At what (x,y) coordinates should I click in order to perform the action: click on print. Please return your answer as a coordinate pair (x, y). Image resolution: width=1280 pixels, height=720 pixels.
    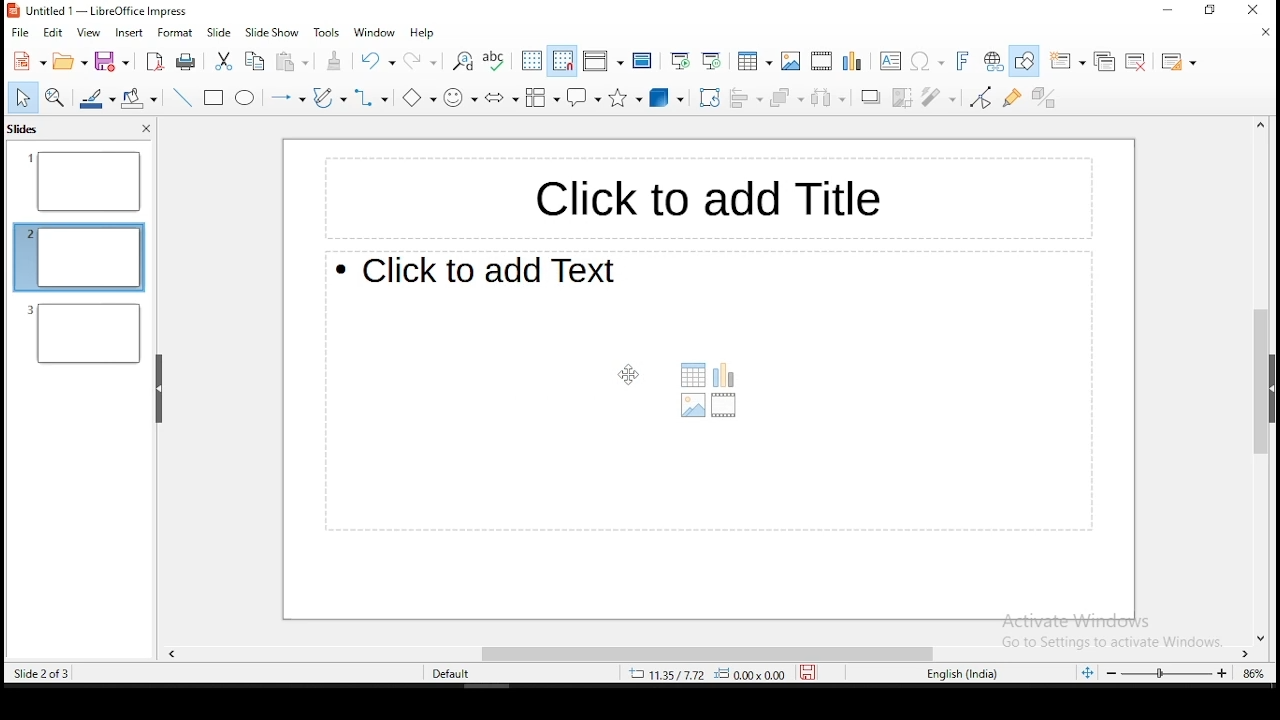
    Looking at the image, I should click on (185, 60).